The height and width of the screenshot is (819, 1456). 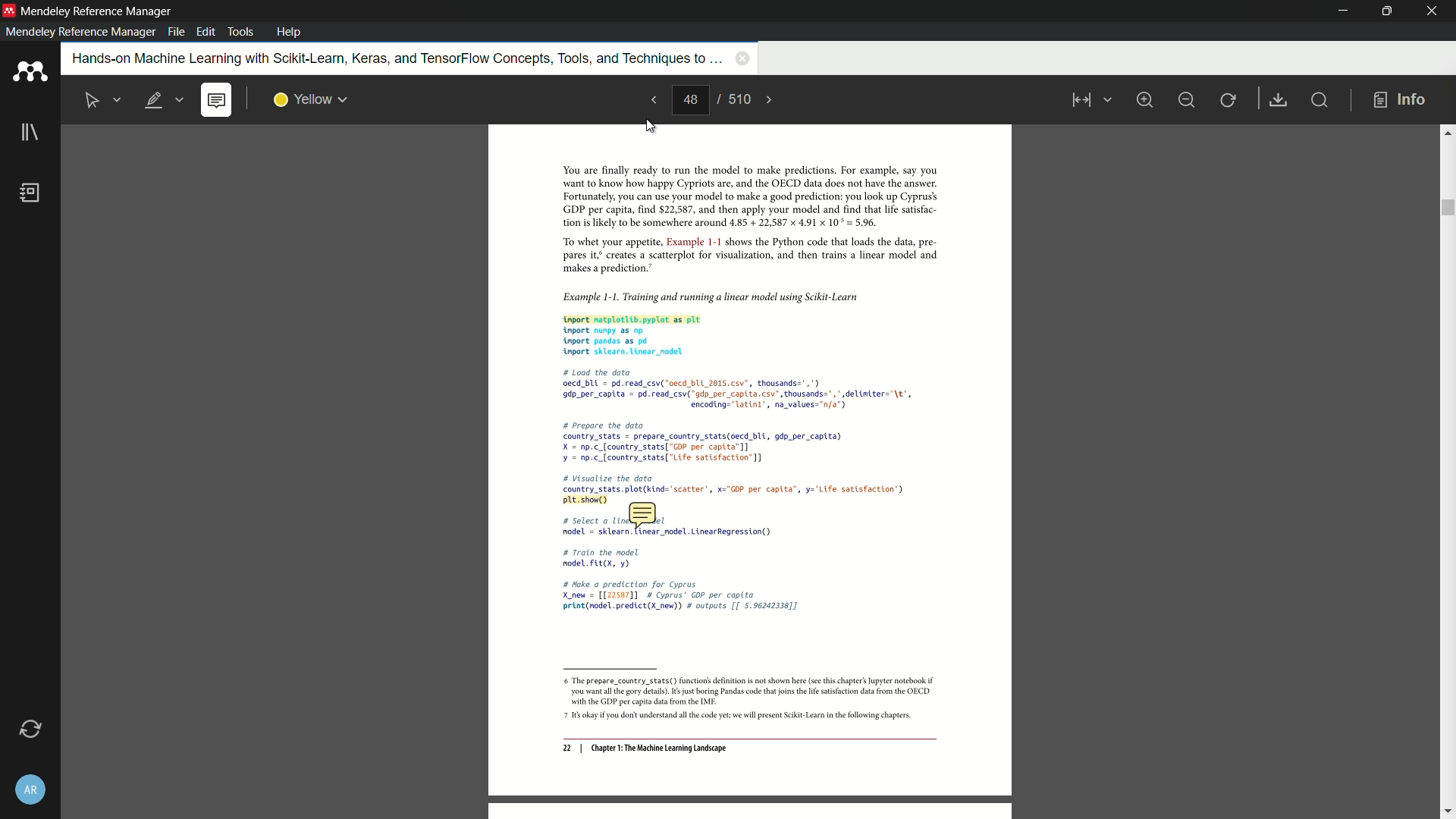 I want to click on current page, so click(x=690, y=100).